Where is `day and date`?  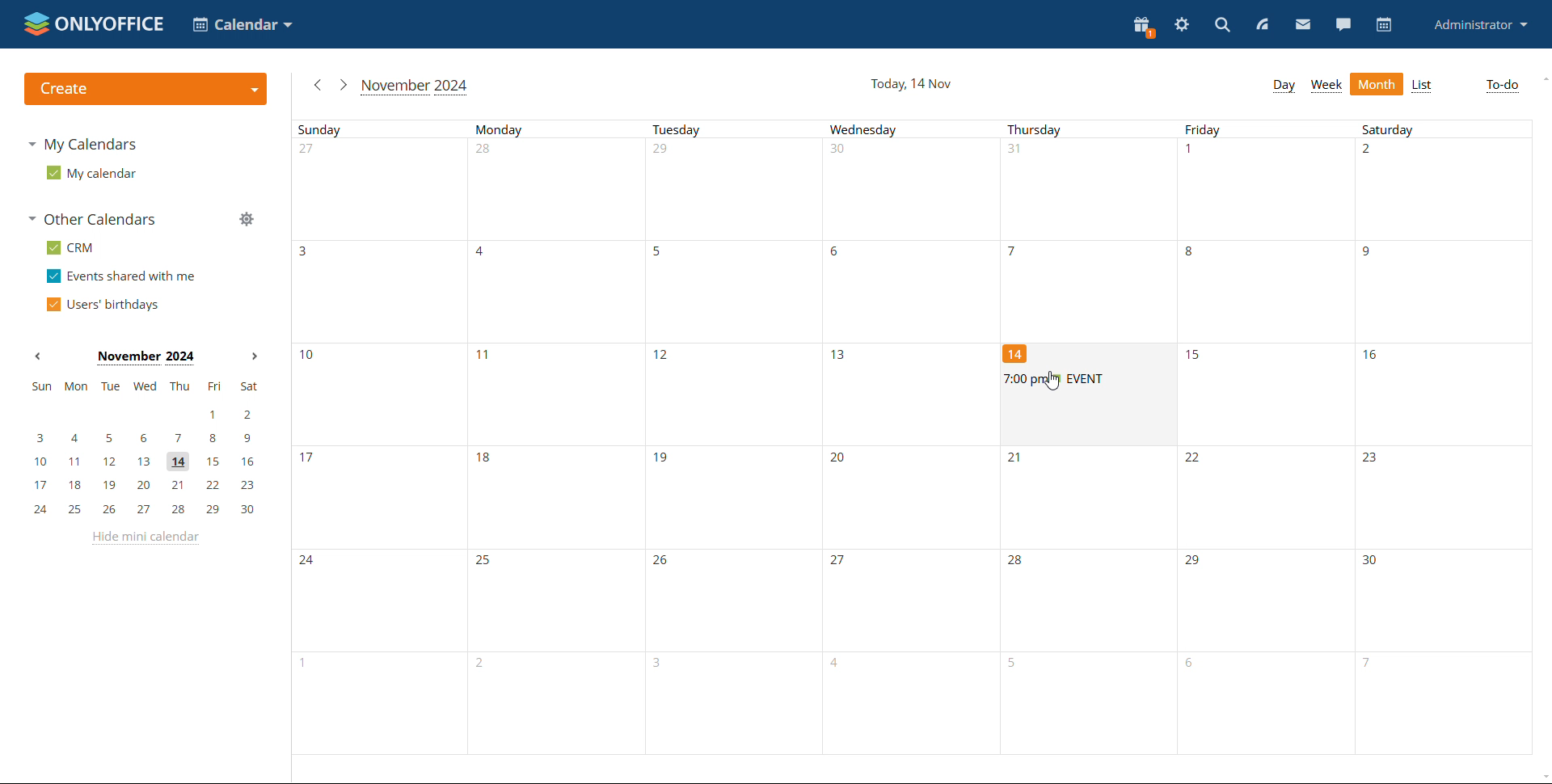
day and date is located at coordinates (912, 84).